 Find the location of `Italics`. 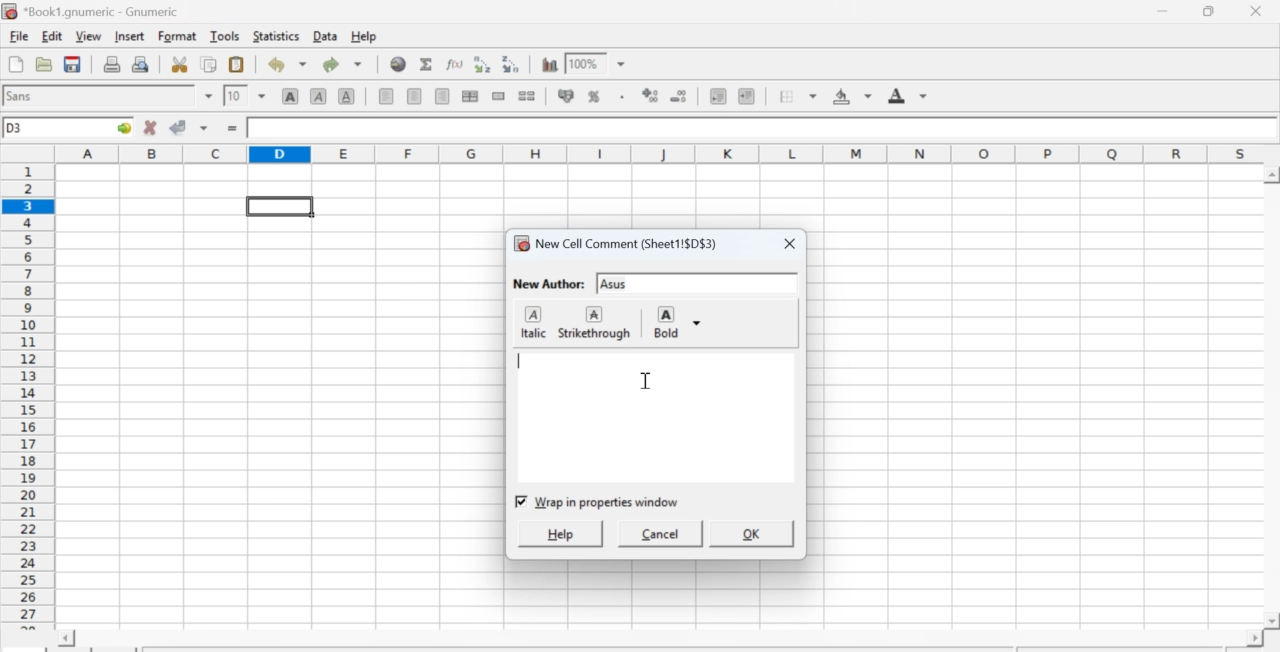

Italics is located at coordinates (318, 96).